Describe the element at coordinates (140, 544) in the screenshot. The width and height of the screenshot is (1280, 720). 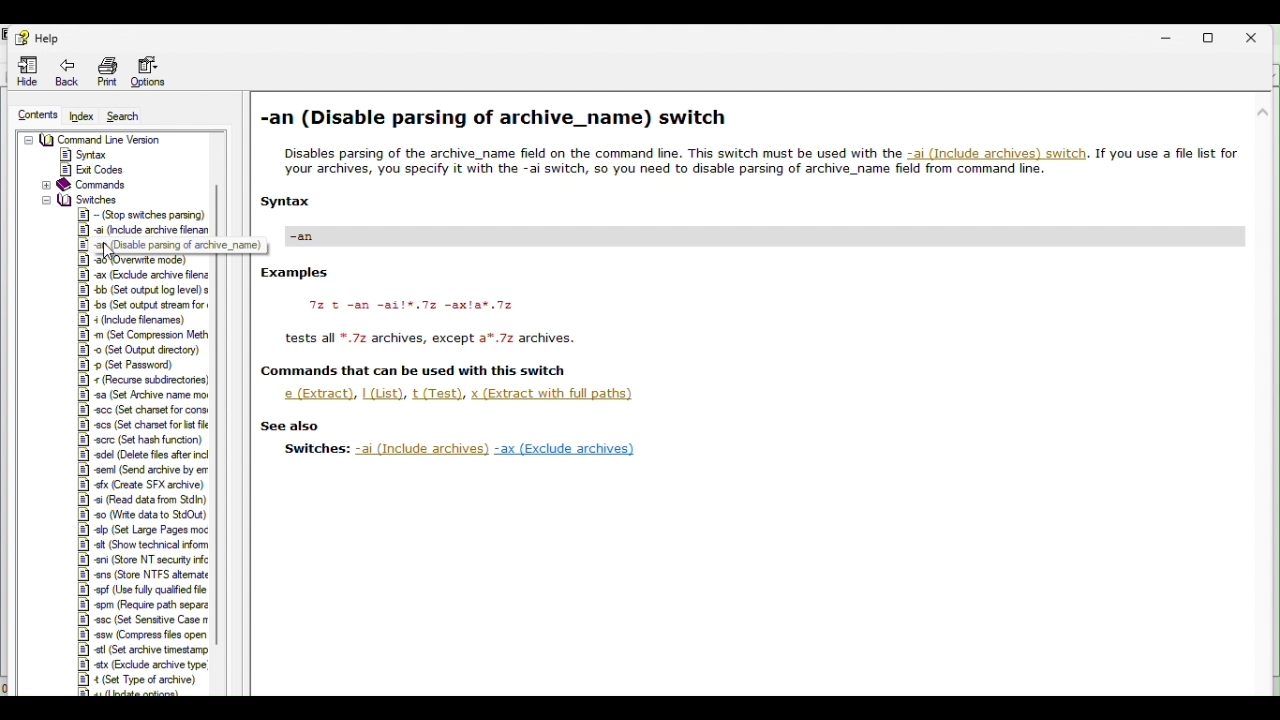
I see `[#8] 2 (Show technical inform` at that location.